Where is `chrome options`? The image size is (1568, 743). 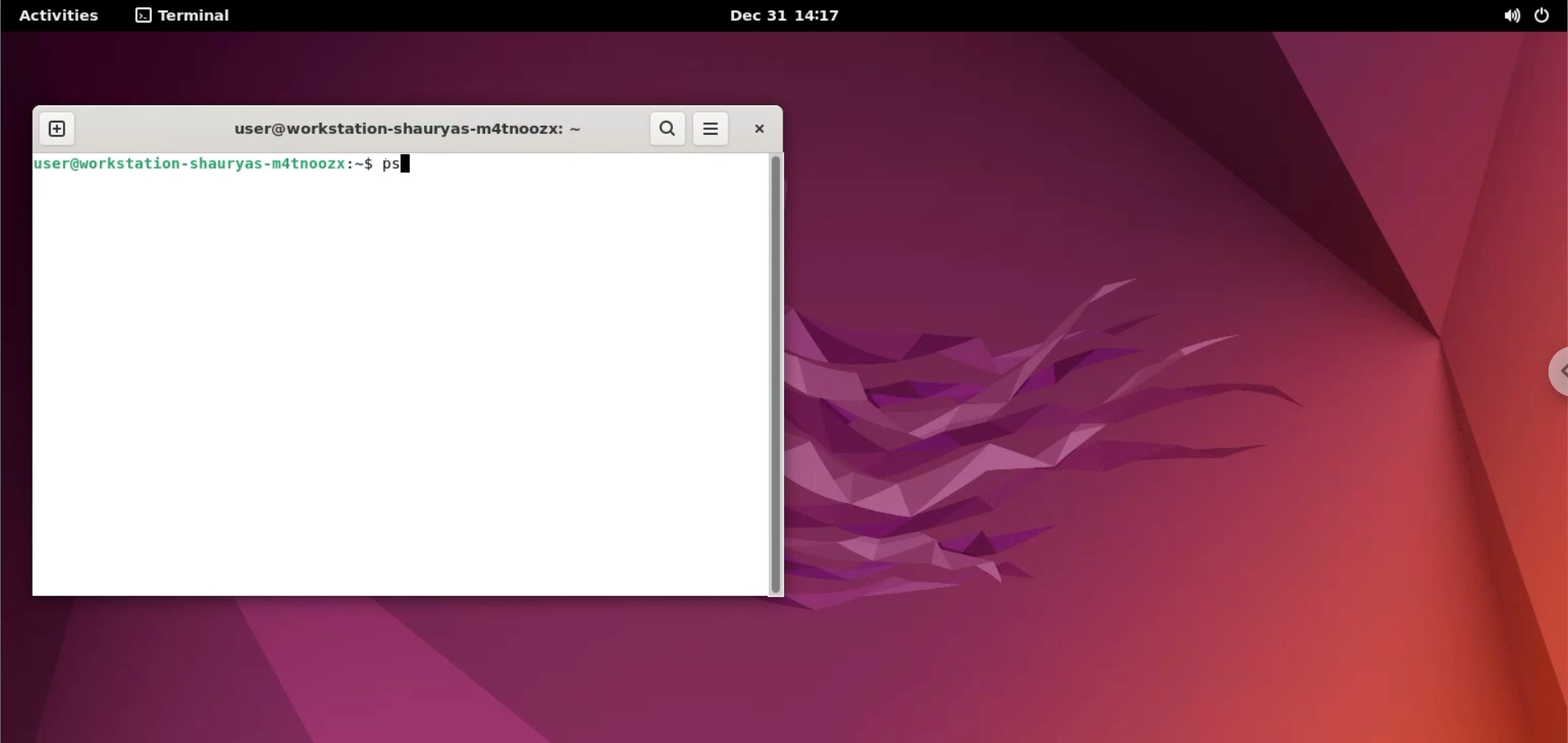
chrome options is located at coordinates (1553, 369).